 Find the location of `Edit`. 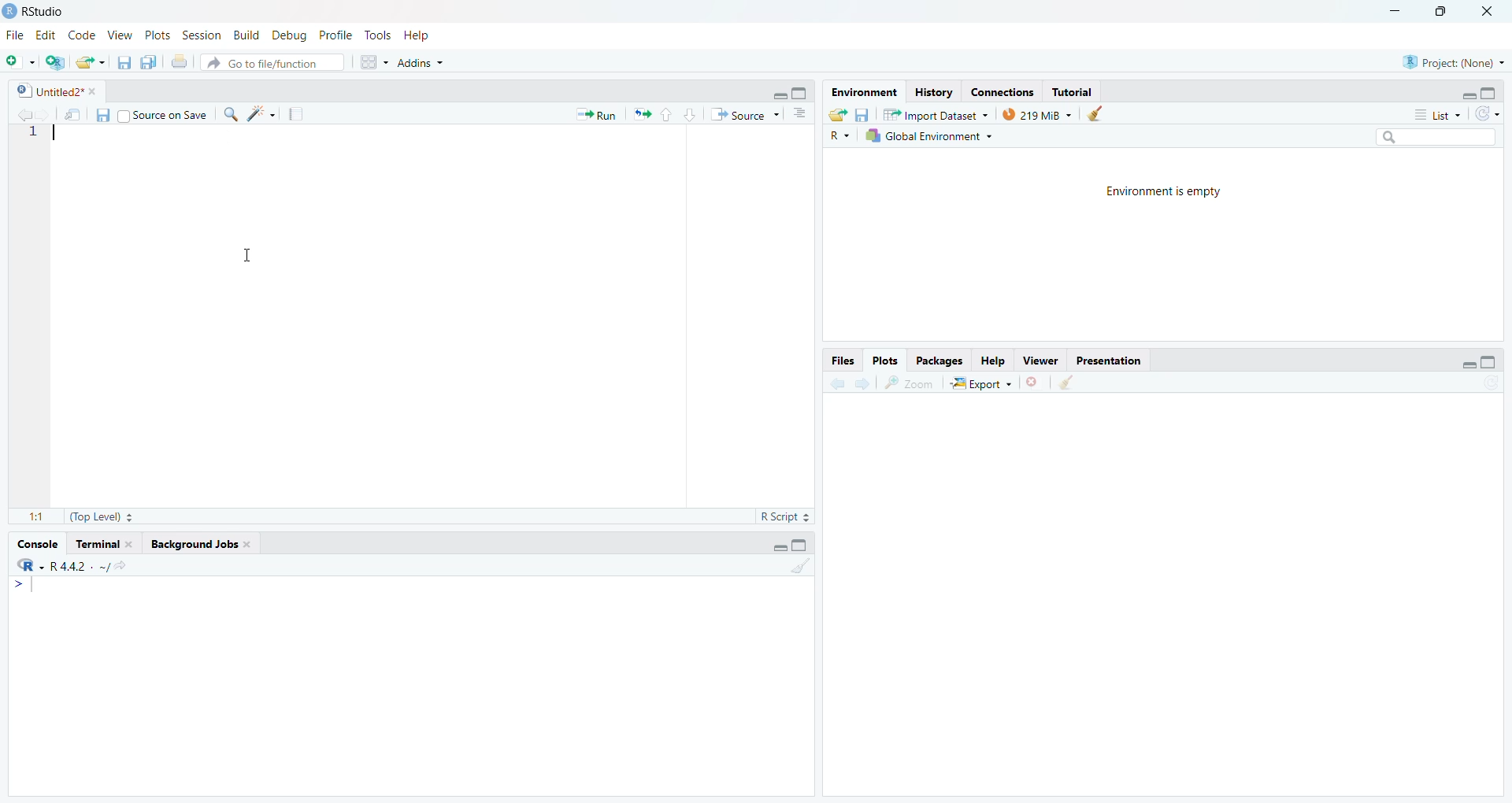

Edit is located at coordinates (47, 35).